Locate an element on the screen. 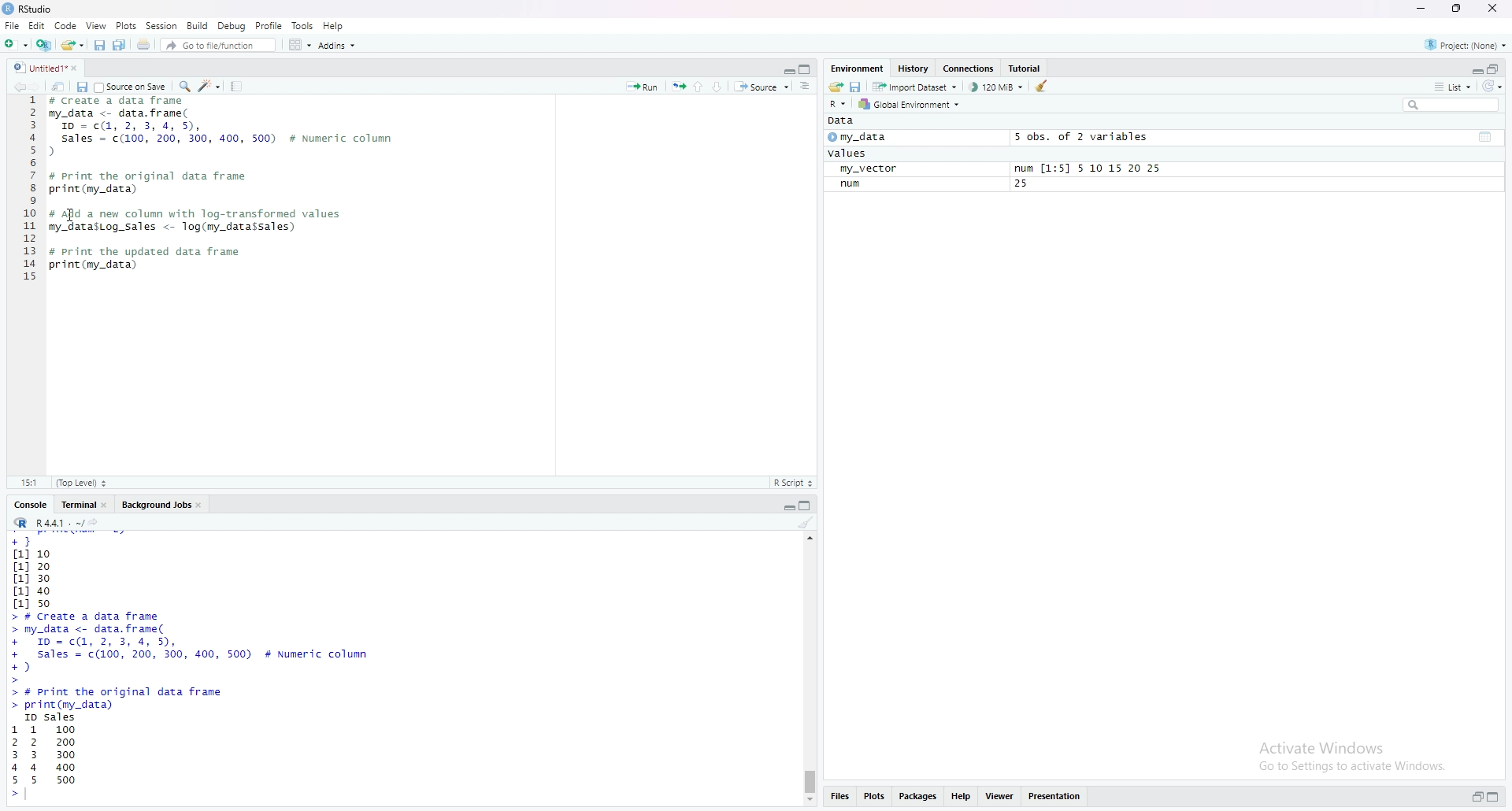 The width and height of the screenshot is (1512, 811). workspace panes is located at coordinates (297, 46).